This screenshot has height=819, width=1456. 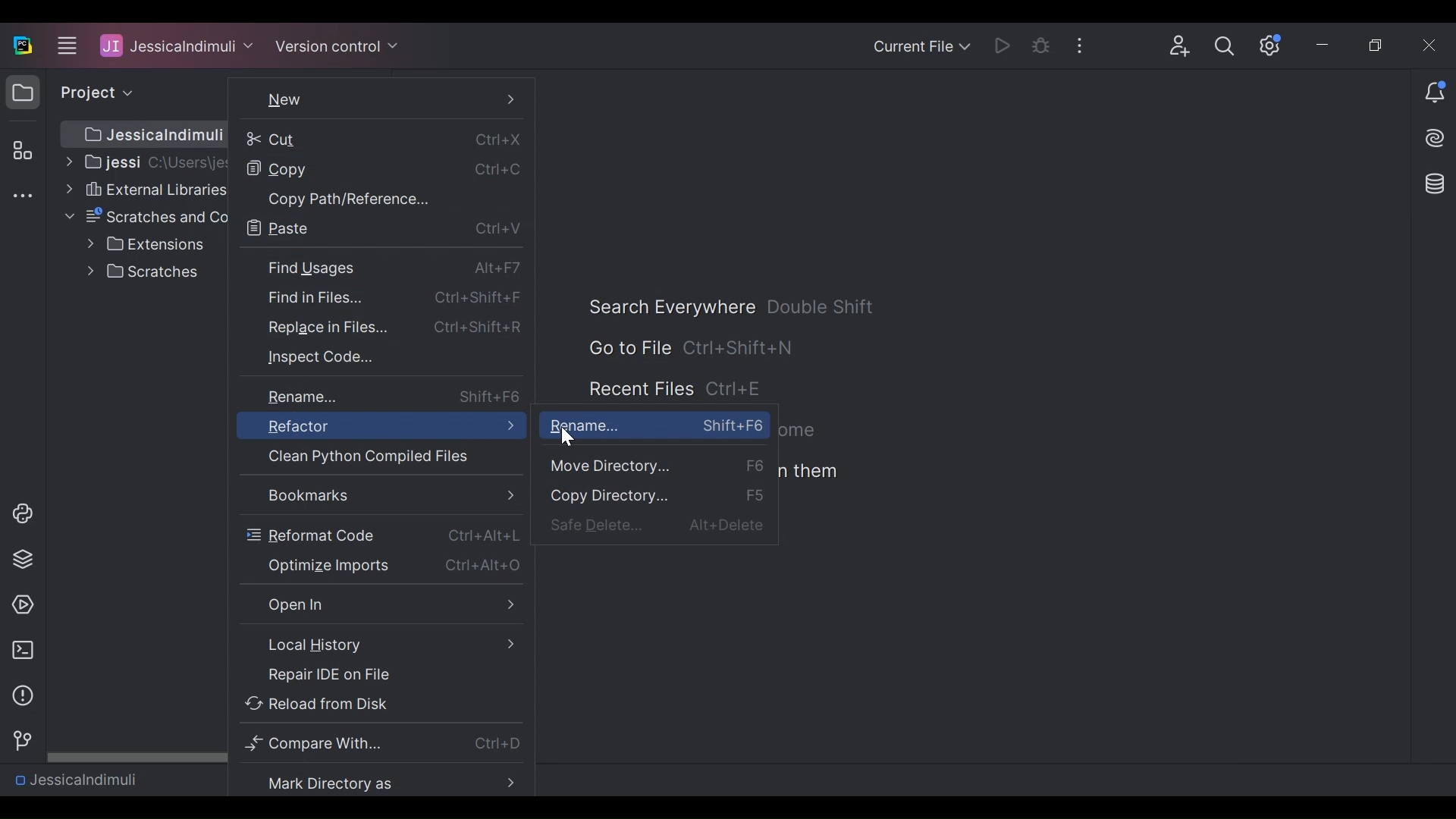 I want to click on Local History, so click(x=380, y=644).